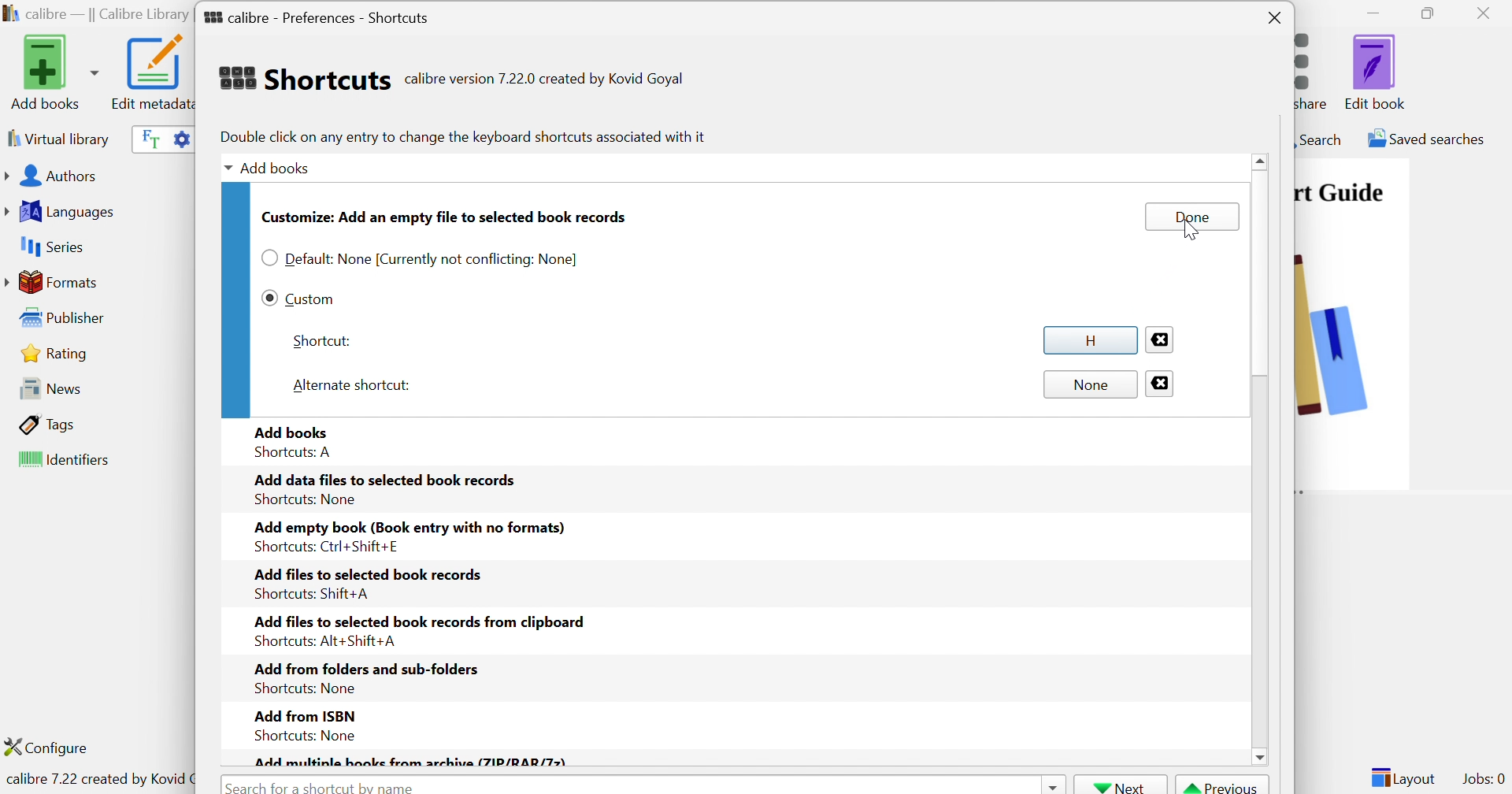 The height and width of the screenshot is (794, 1512). Describe the element at coordinates (310, 594) in the screenshot. I see `Shortcuts: Shift+A` at that location.